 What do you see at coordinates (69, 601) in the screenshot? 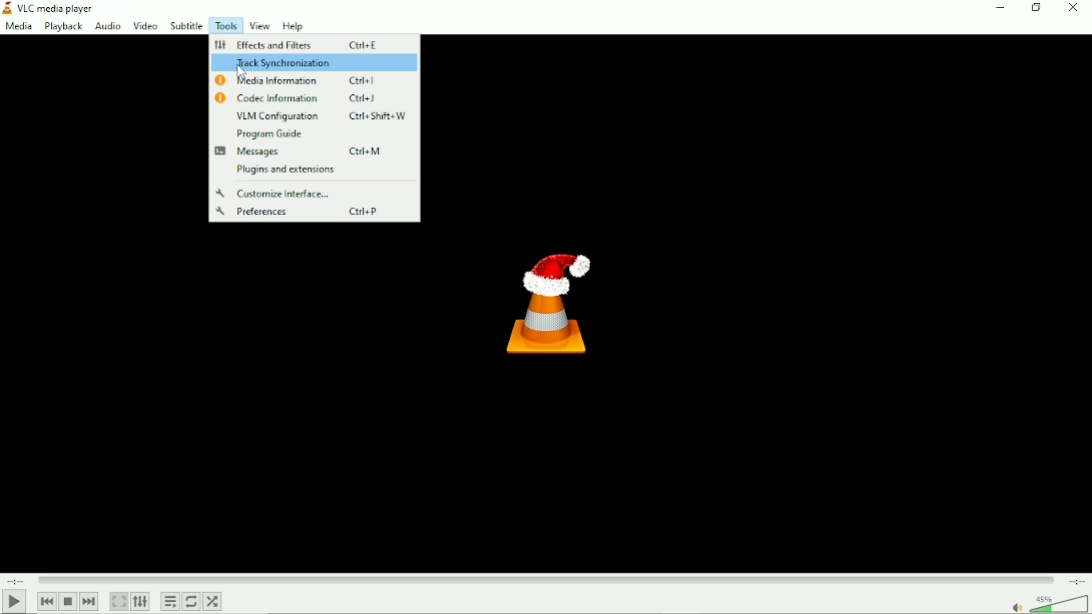
I see `Stop playlist` at bounding box center [69, 601].